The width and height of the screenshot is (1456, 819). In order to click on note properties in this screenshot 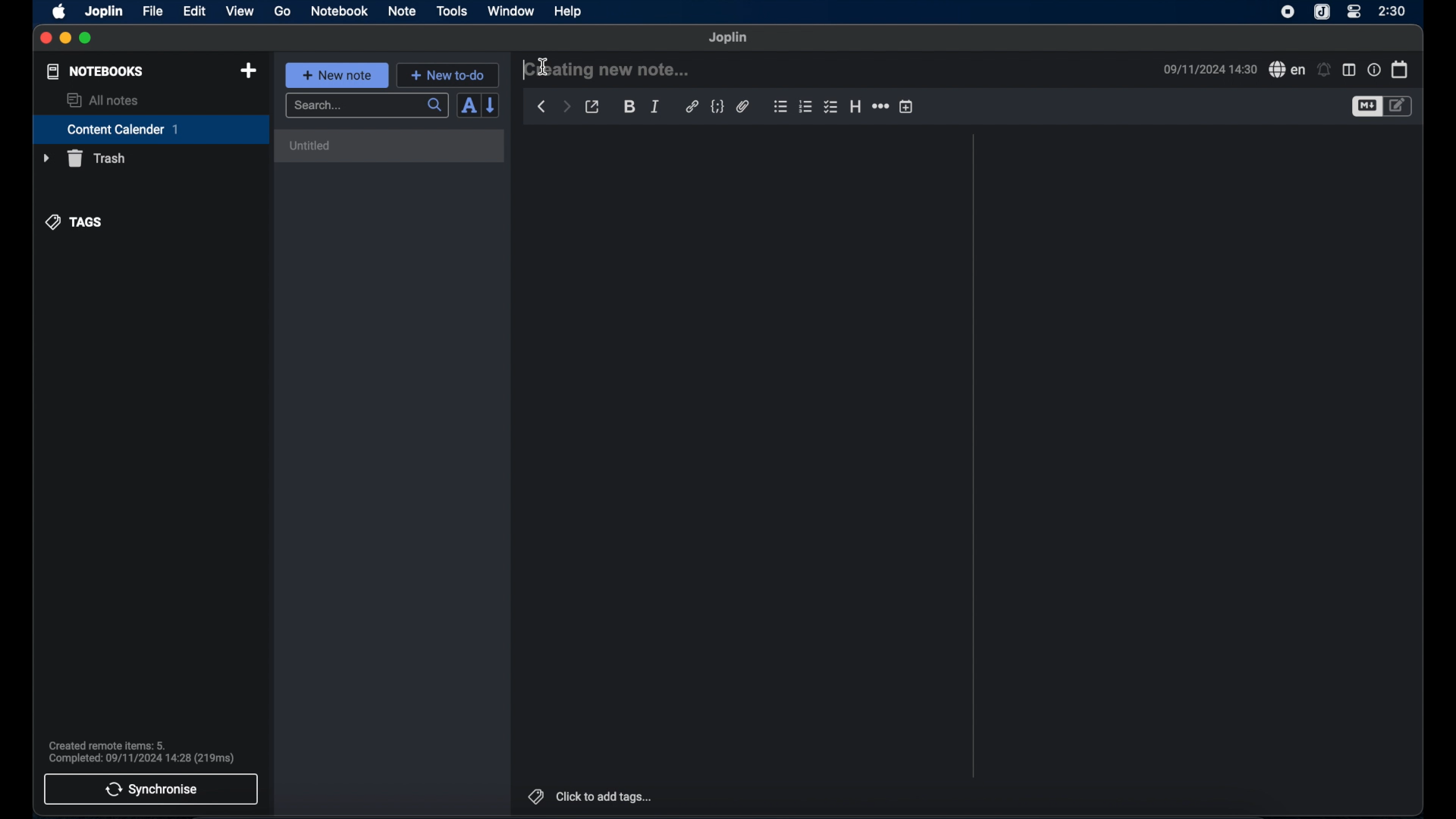, I will do `click(1374, 69)`.